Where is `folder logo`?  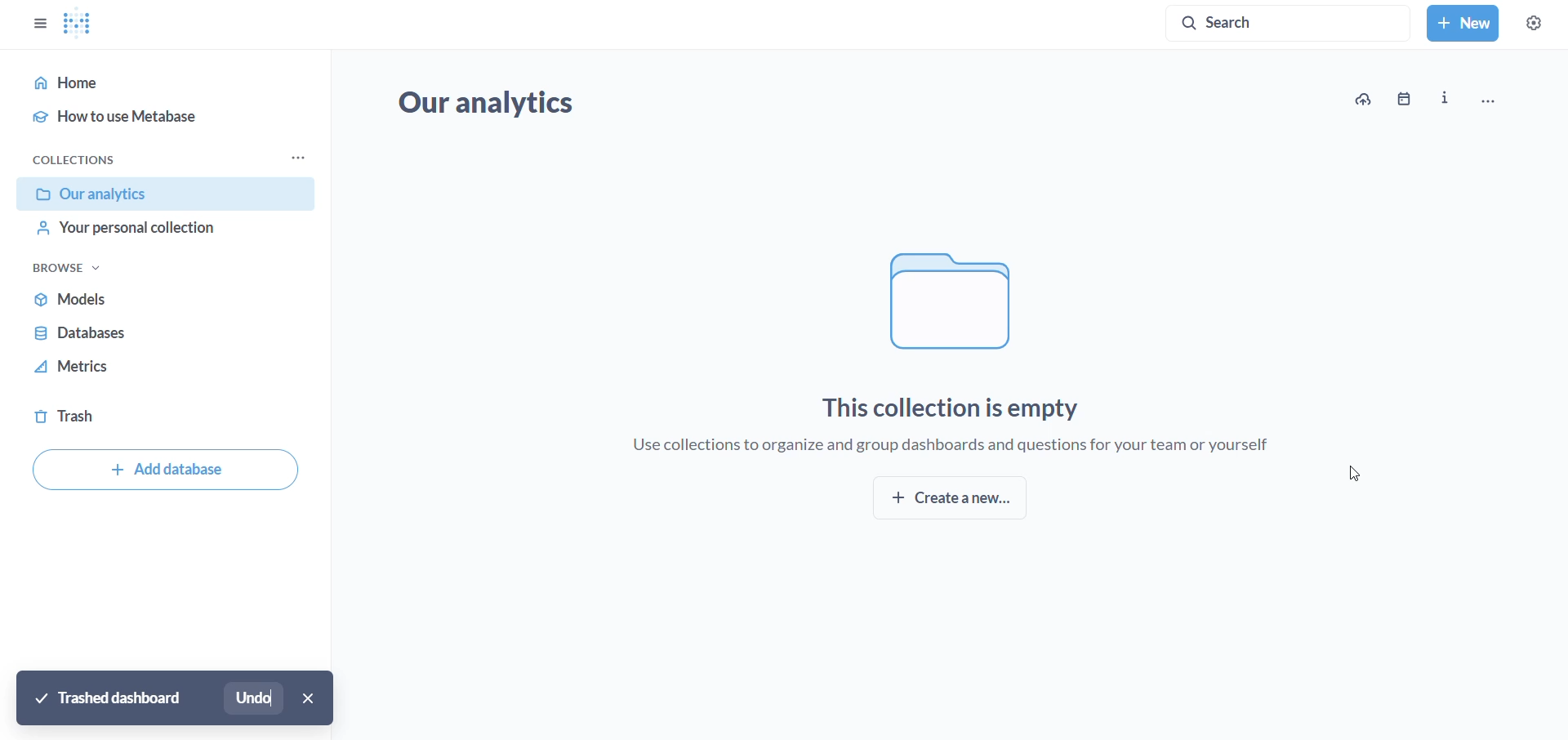
folder logo is located at coordinates (983, 302).